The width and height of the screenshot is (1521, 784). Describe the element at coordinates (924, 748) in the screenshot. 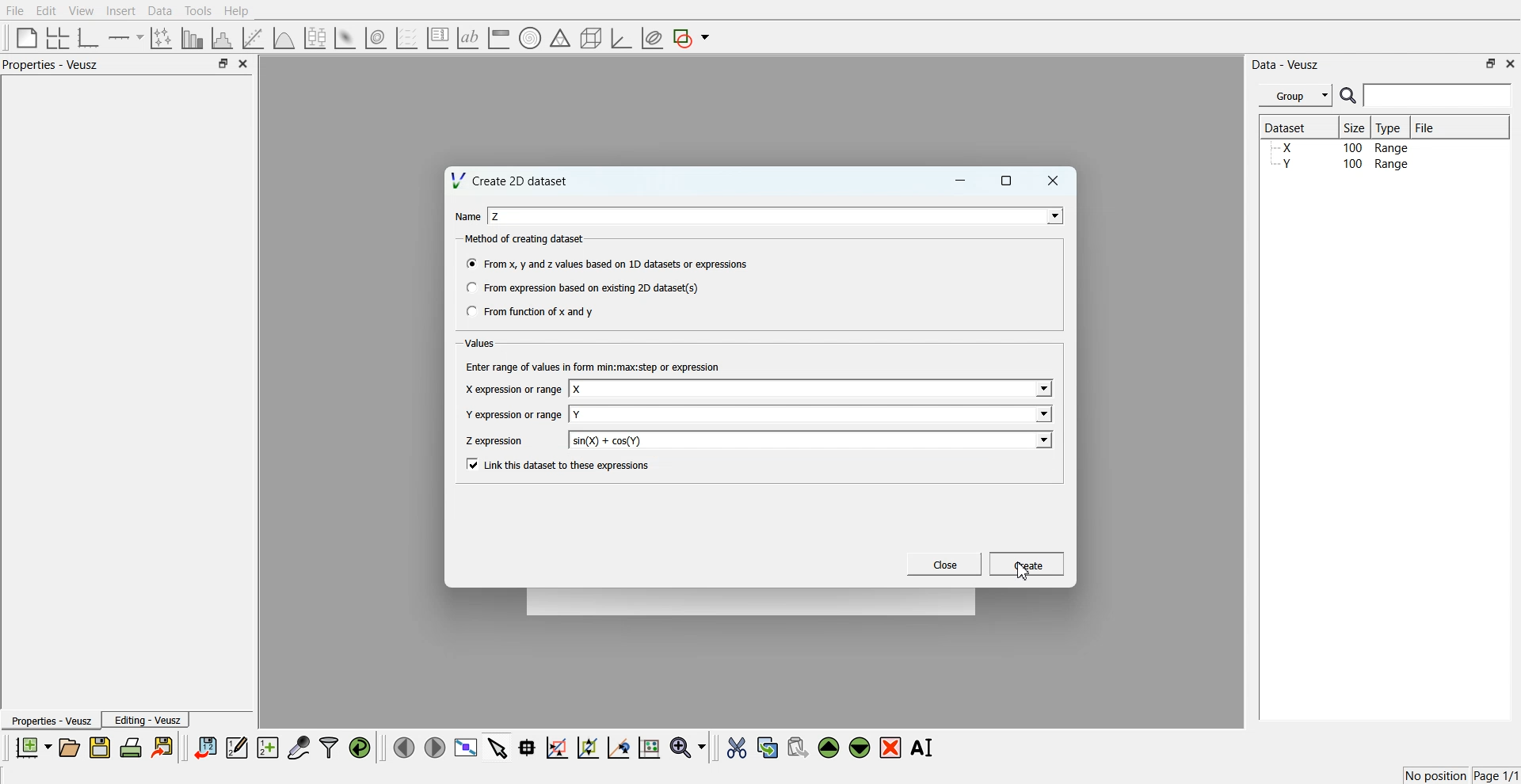

I see `Rename the selected widget` at that location.